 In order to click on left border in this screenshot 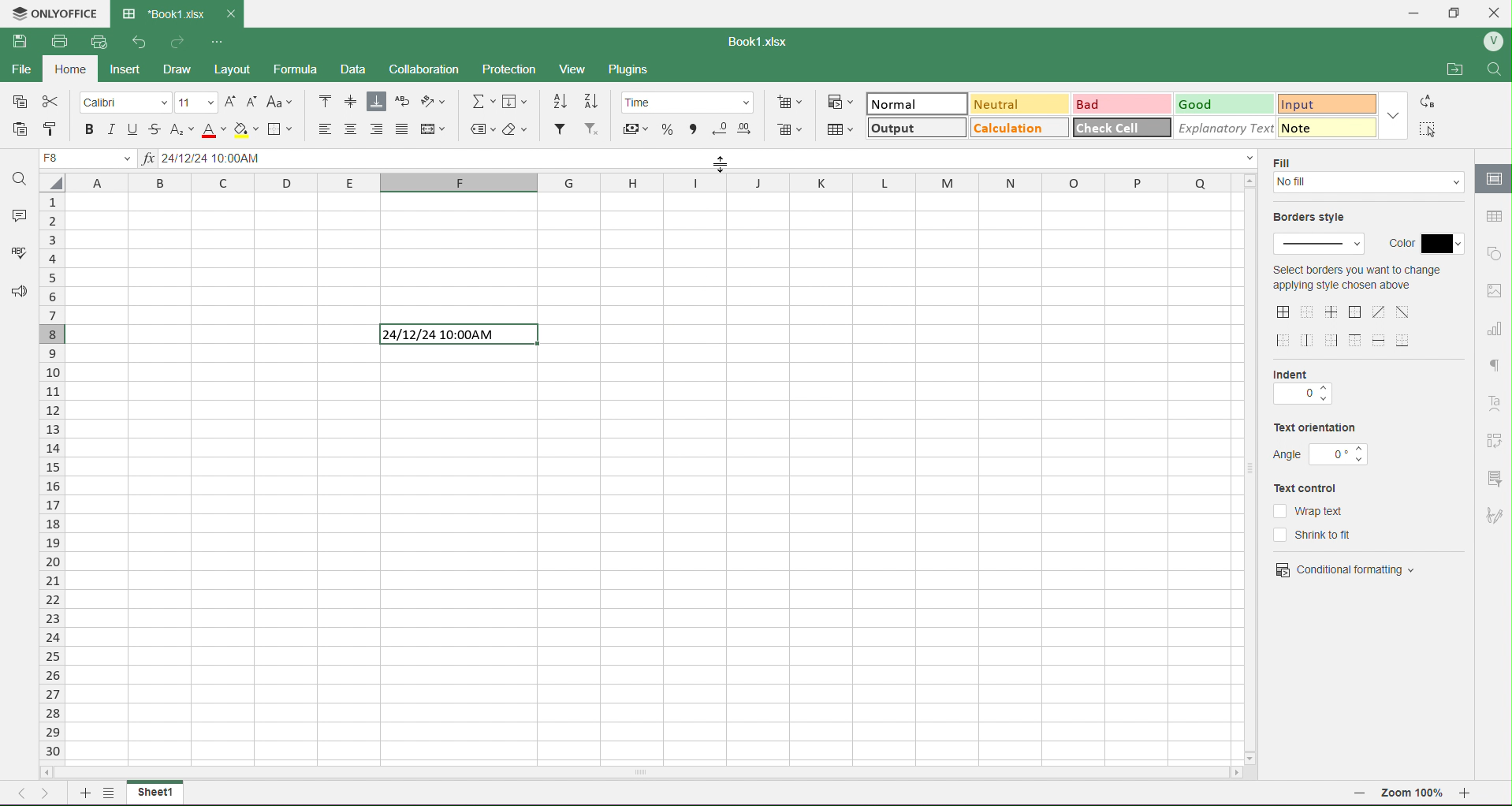, I will do `click(1285, 341)`.